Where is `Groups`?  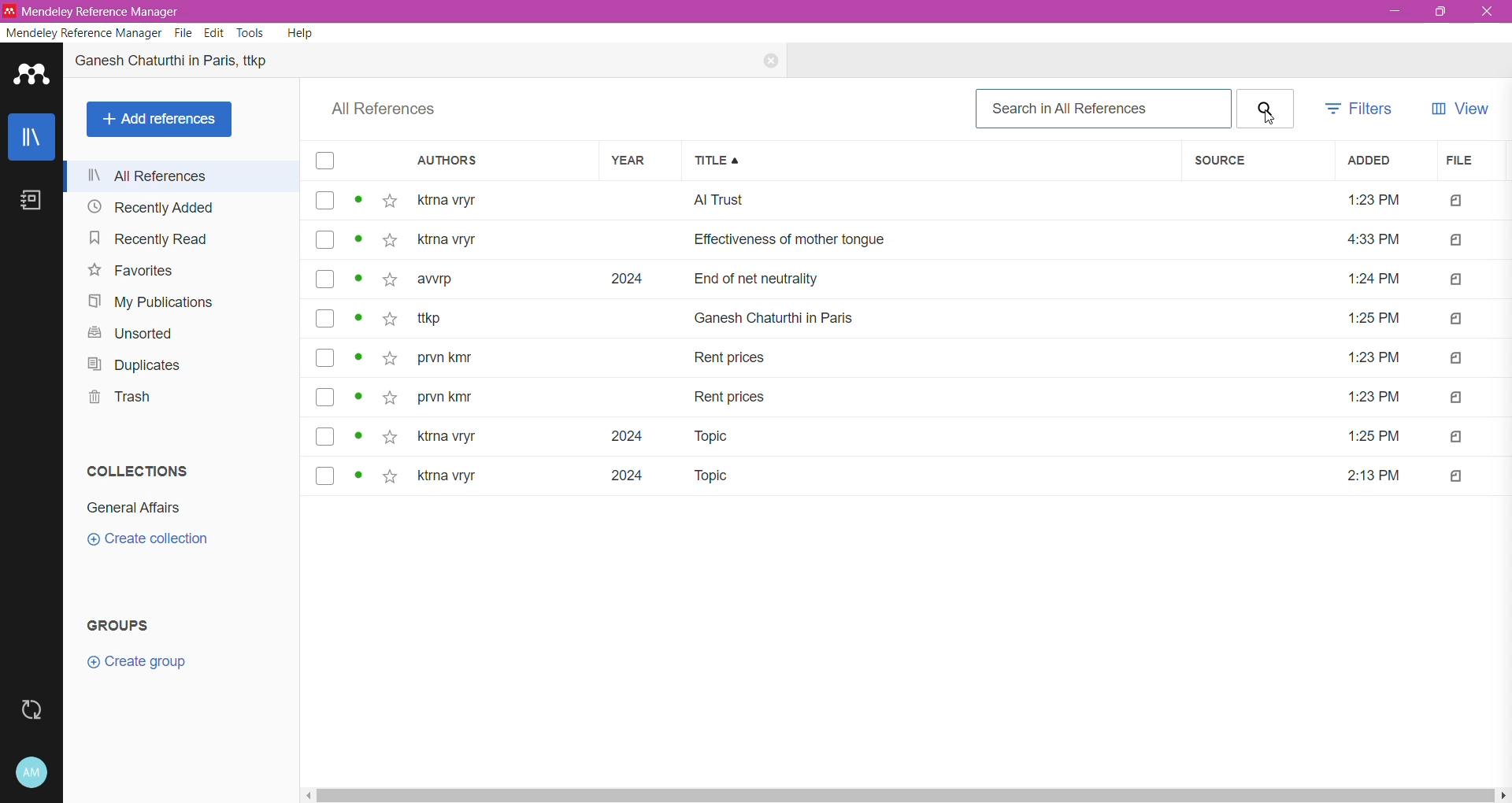 Groups is located at coordinates (128, 624).